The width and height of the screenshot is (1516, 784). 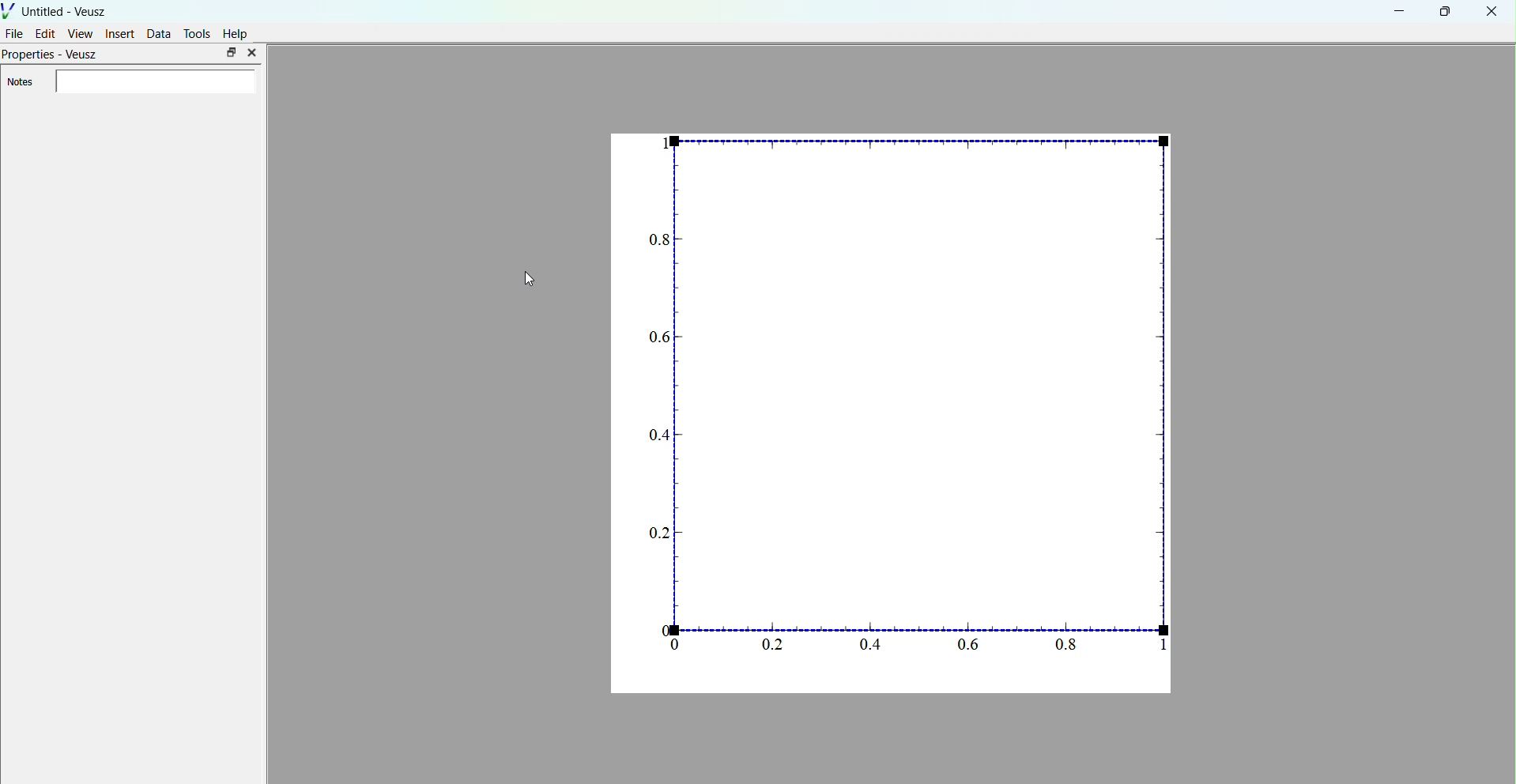 What do you see at coordinates (893, 412) in the screenshot?
I see `graphs` at bounding box center [893, 412].